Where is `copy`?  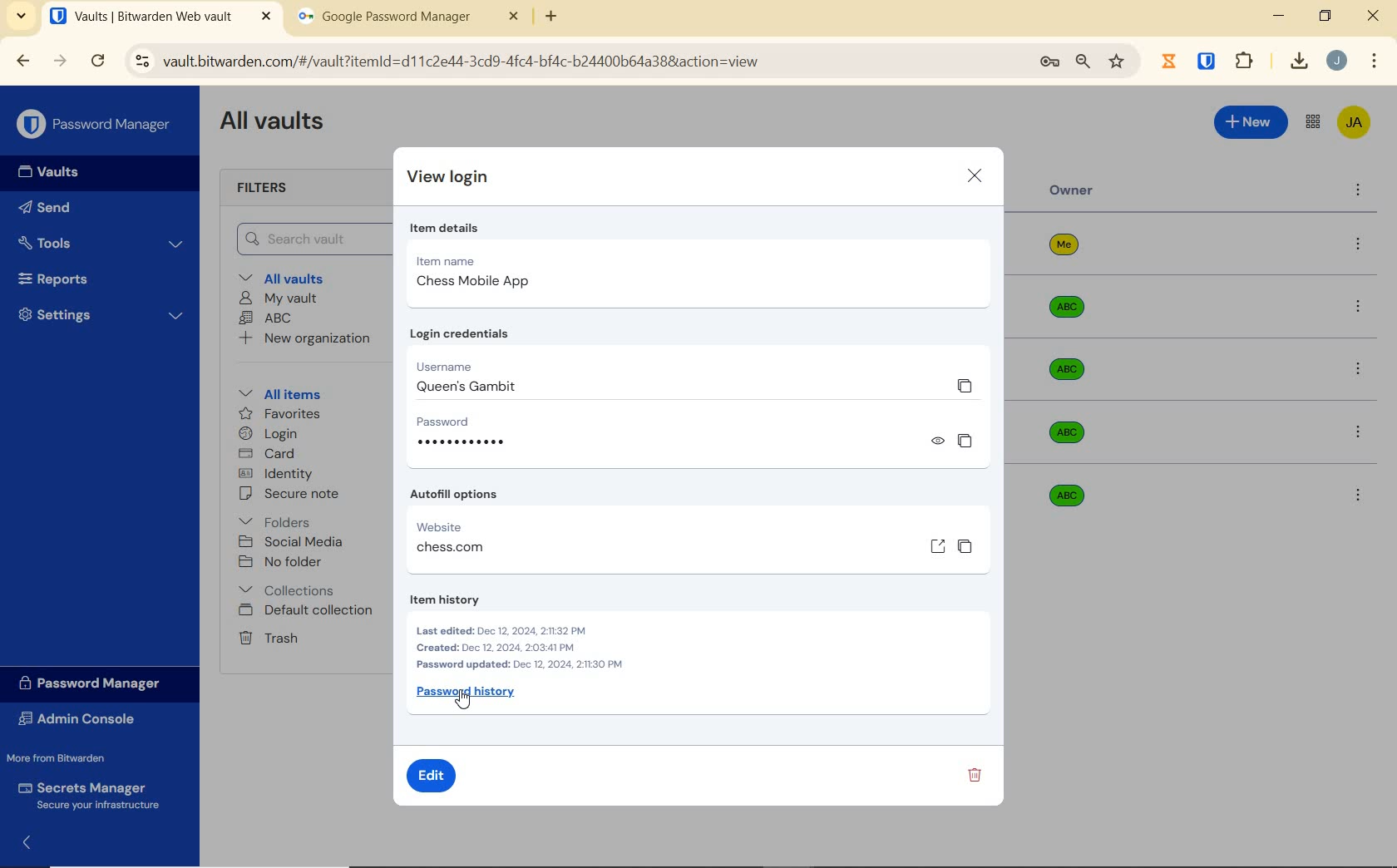 copy is located at coordinates (967, 545).